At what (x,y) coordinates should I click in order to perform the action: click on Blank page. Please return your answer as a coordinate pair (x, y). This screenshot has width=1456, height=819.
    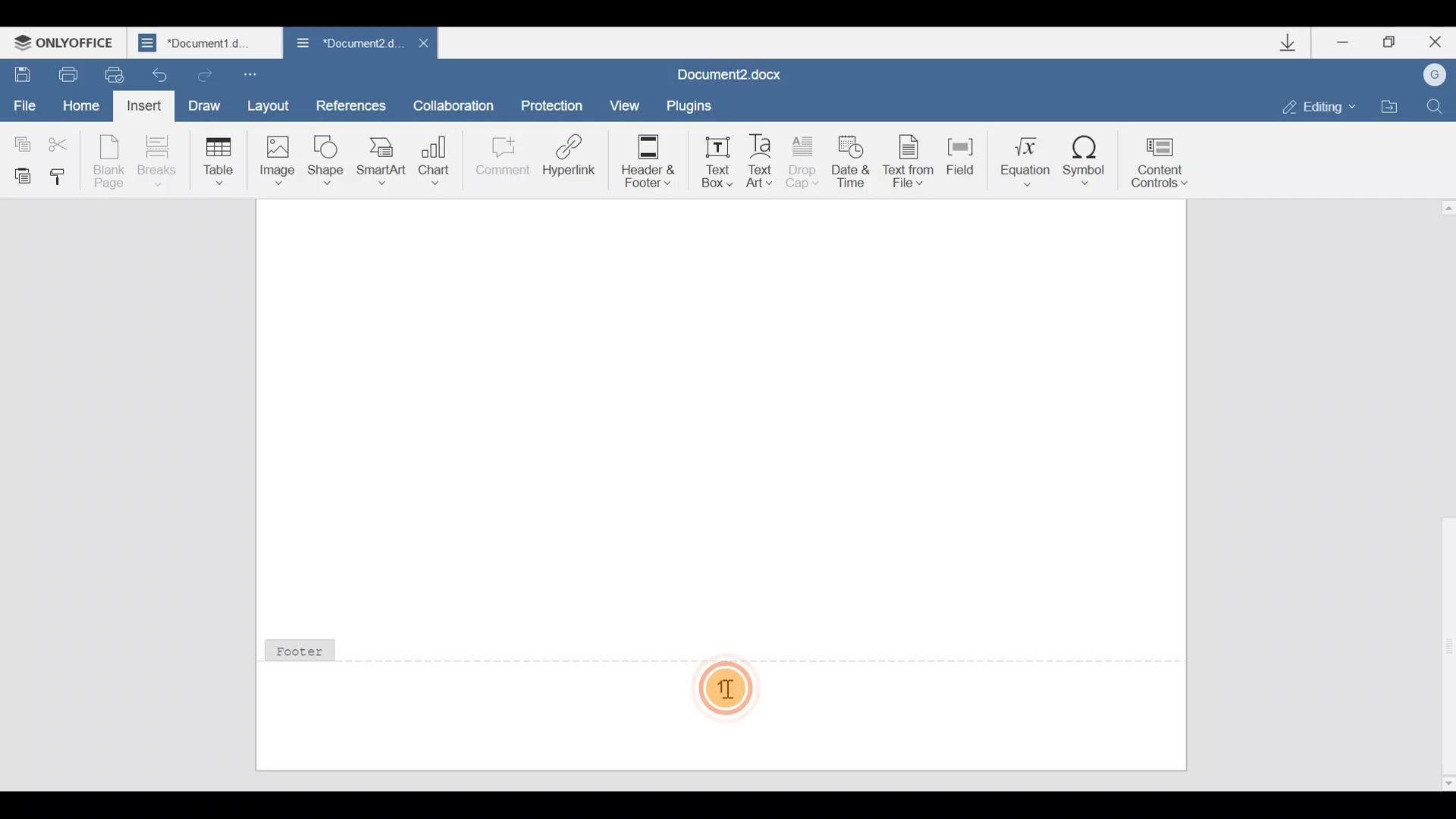
    Looking at the image, I should click on (111, 160).